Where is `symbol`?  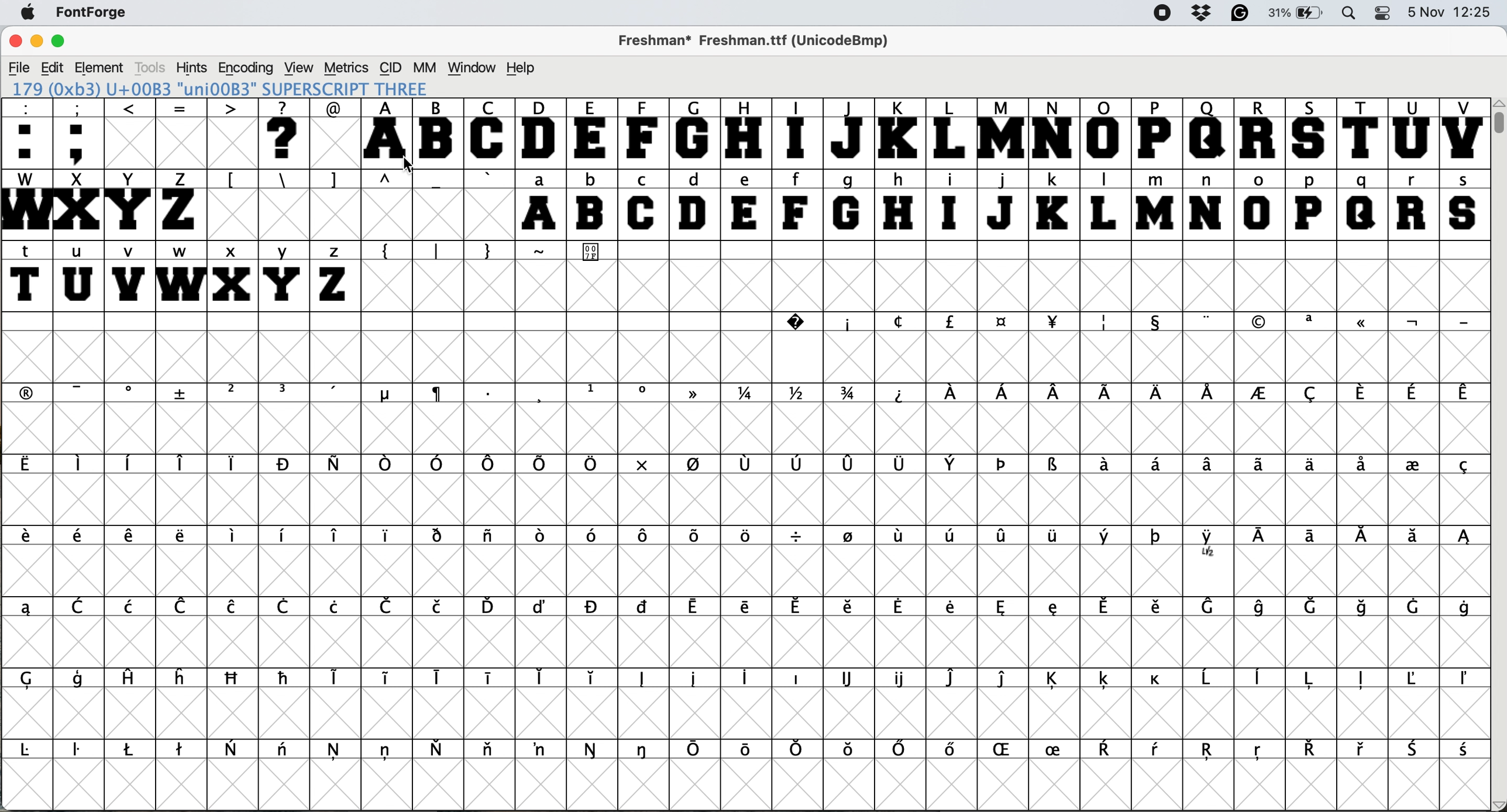
symbol is located at coordinates (902, 465).